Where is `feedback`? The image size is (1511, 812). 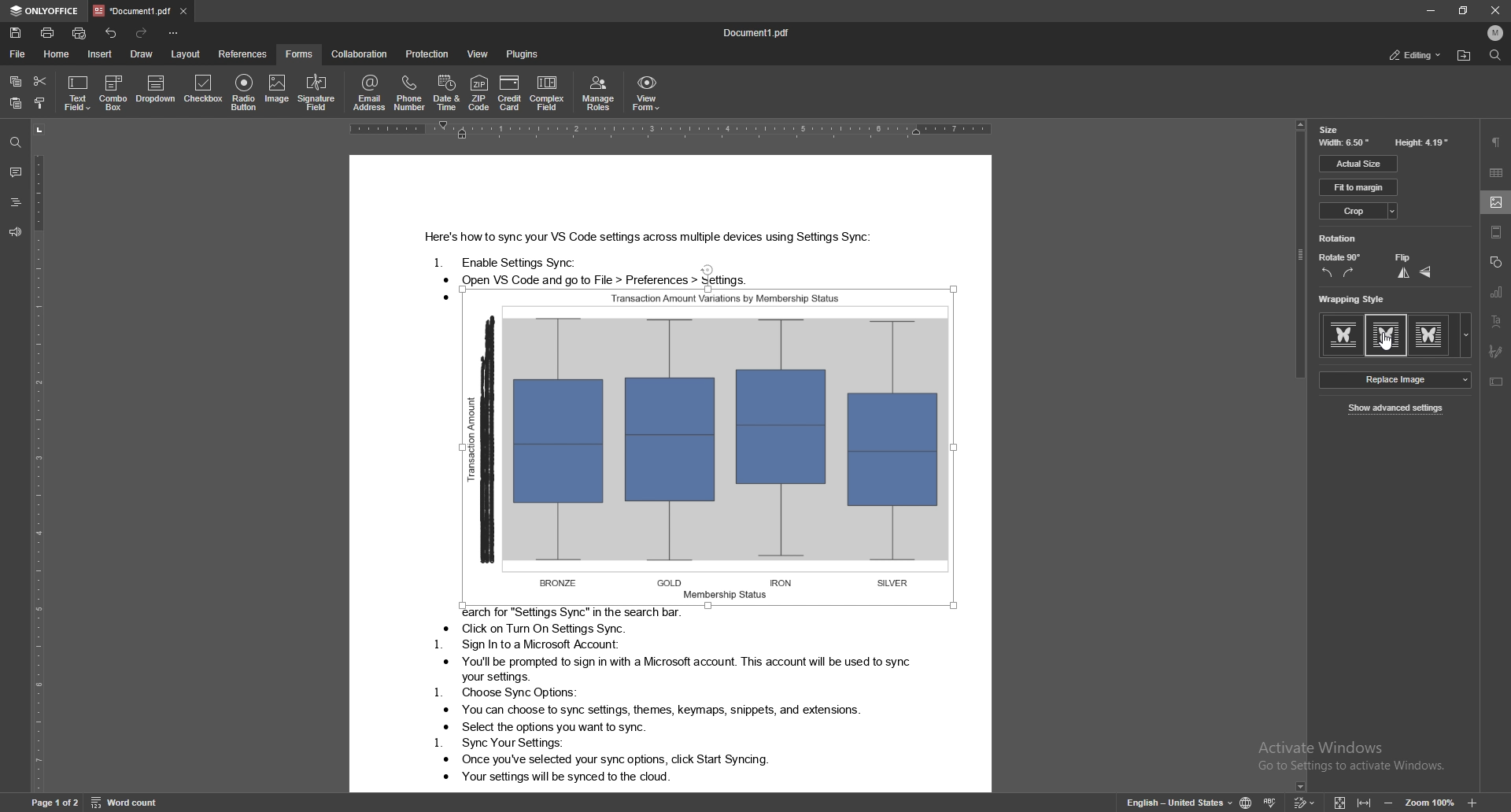
feedback is located at coordinates (13, 231).